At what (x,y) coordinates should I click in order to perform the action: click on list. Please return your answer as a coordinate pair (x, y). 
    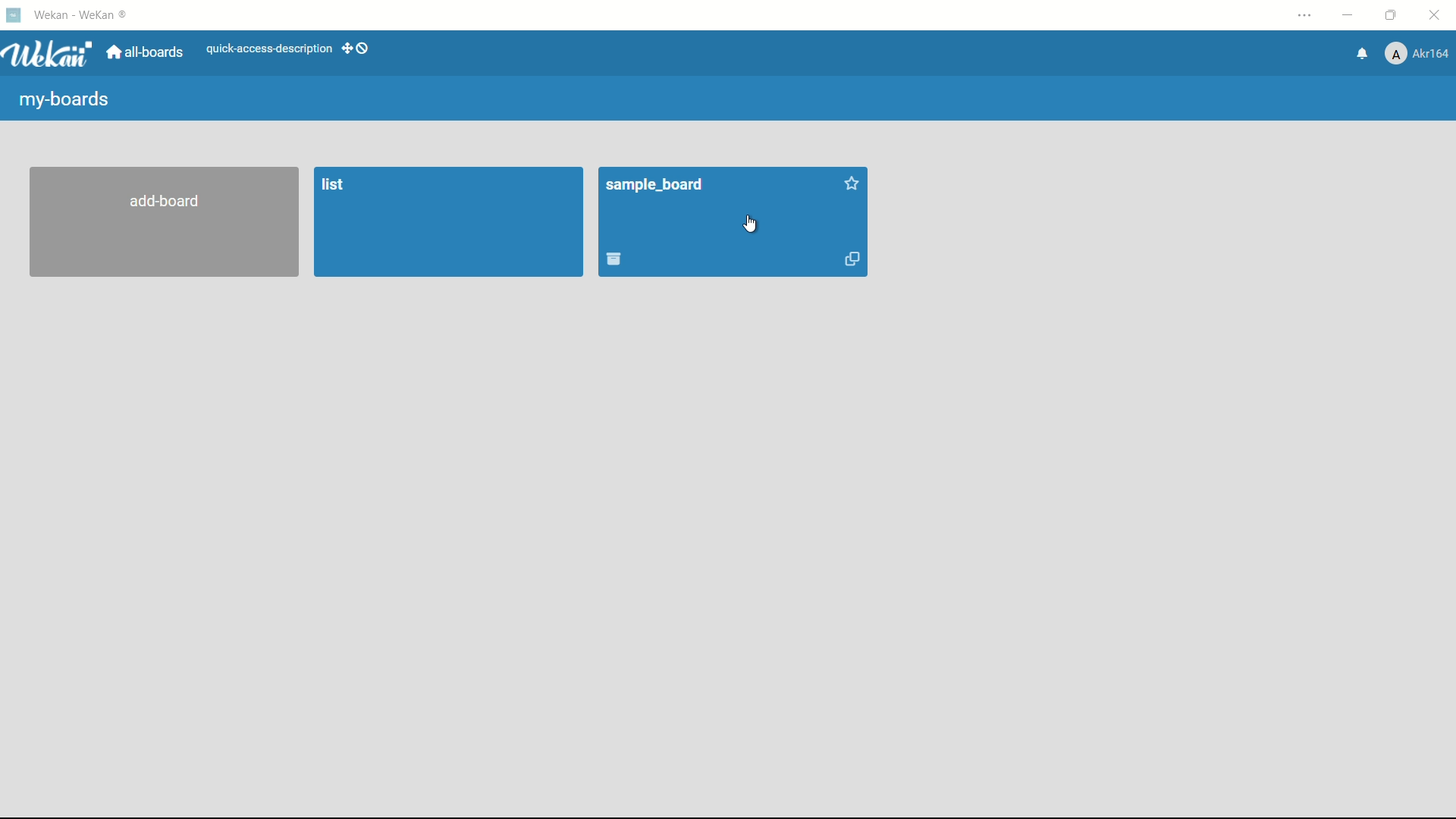
    Looking at the image, I should click on (449, 224).